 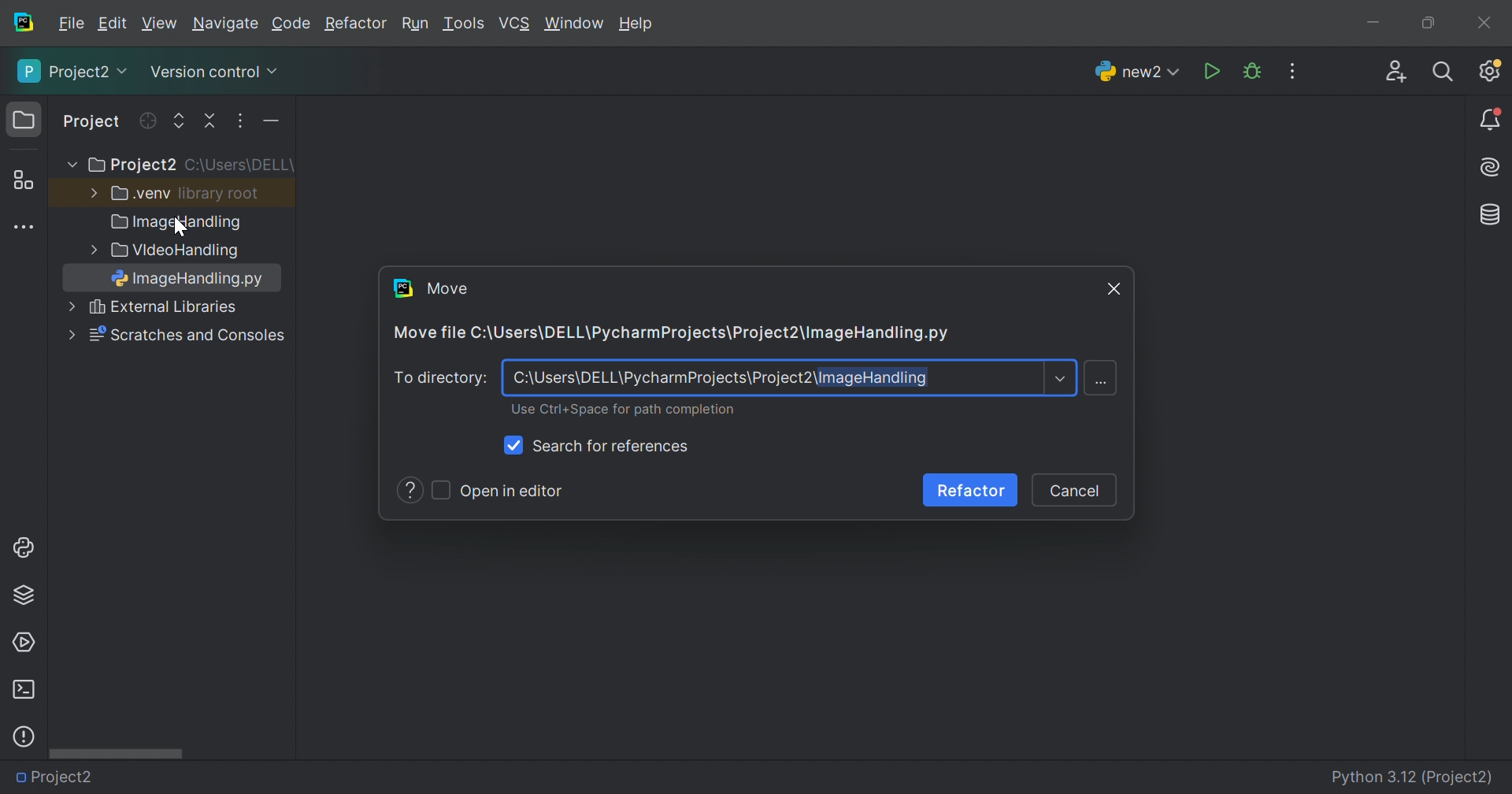 I want to click on Structure, so click(x=23, y=181).